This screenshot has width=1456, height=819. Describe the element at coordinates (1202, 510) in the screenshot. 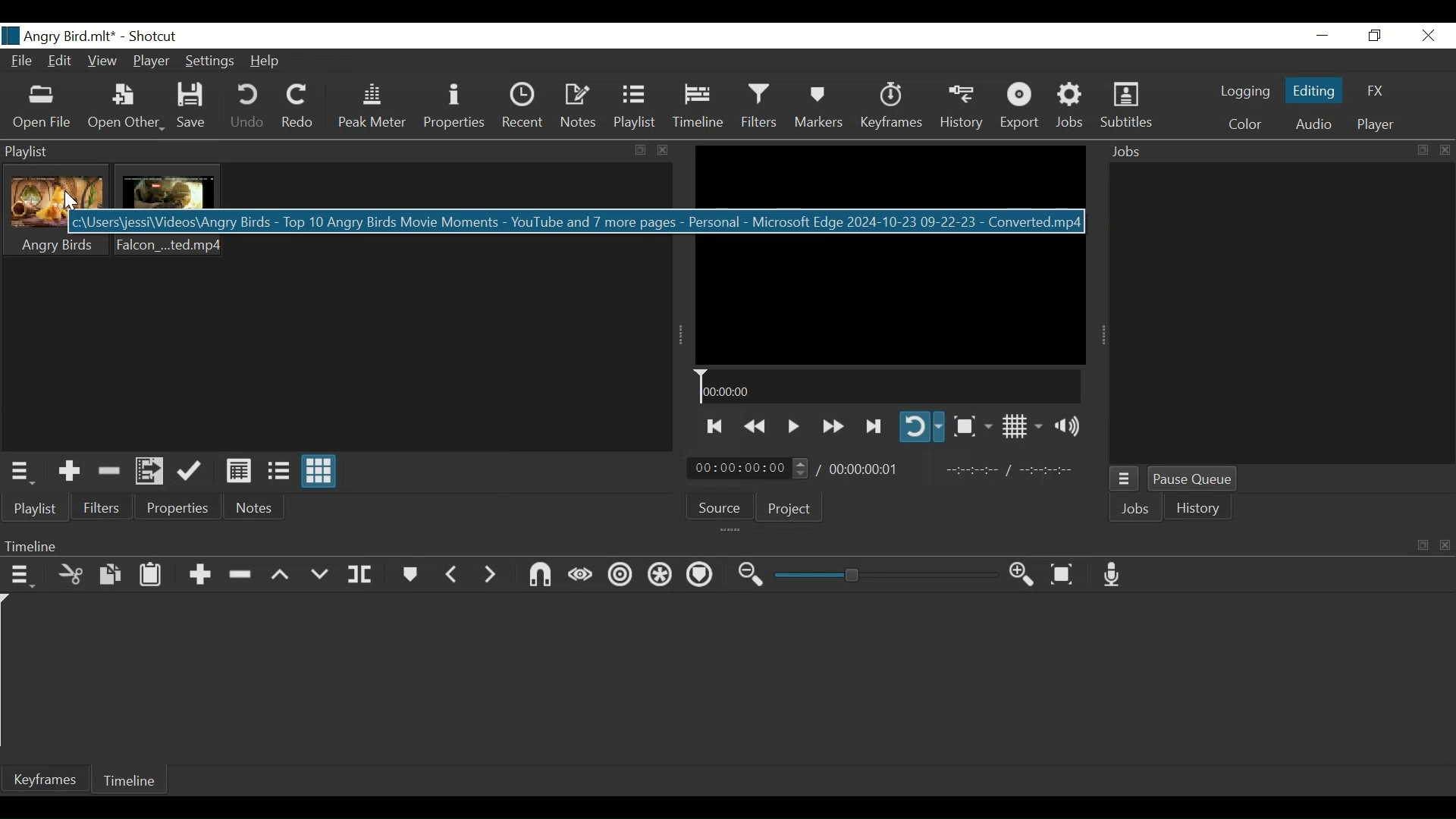

I see `History` at that location.